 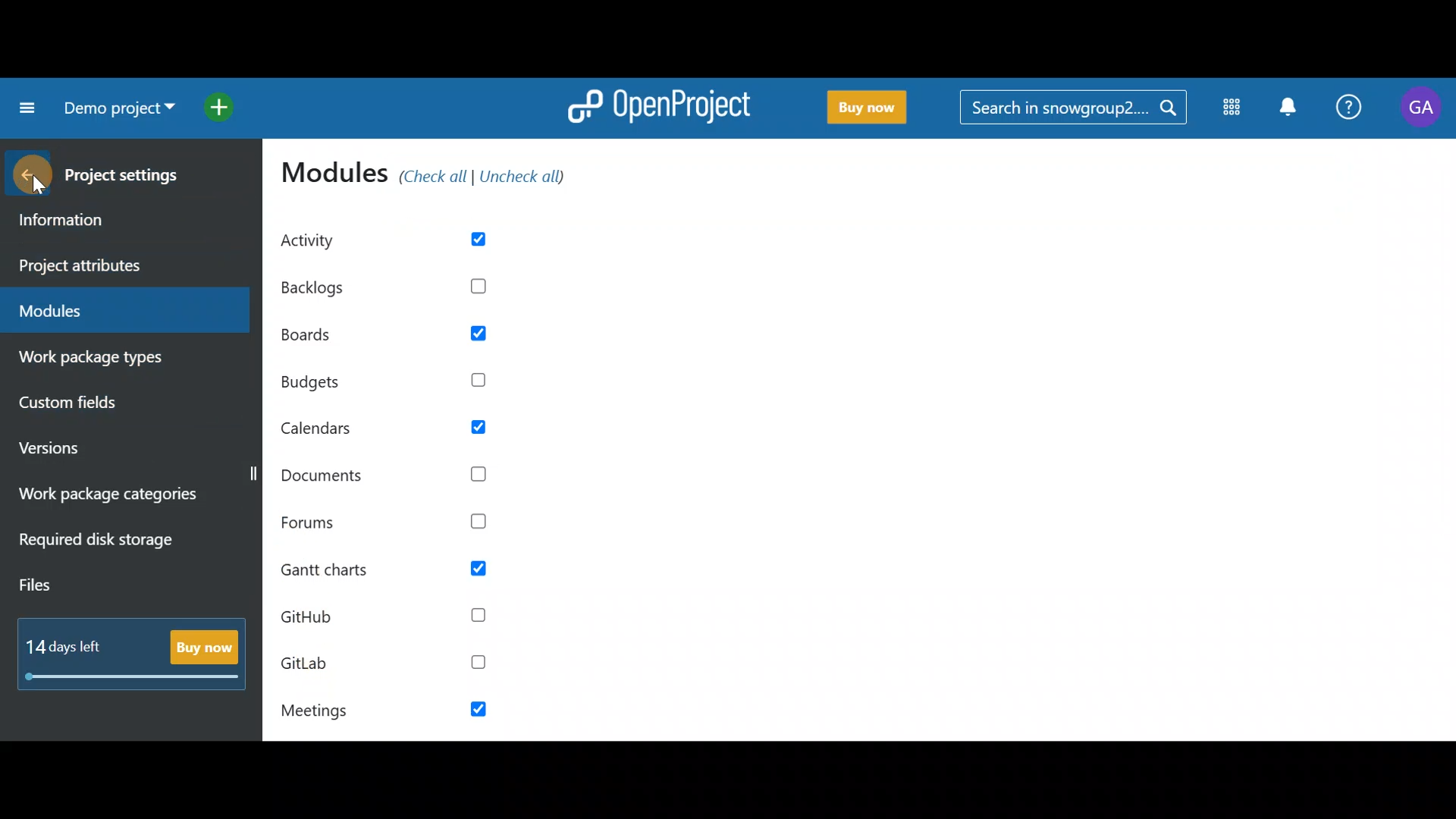 What do you see at coordinates (129, 179) in the screenshot?
I see `Project settings` at bounding box center [129, 179].